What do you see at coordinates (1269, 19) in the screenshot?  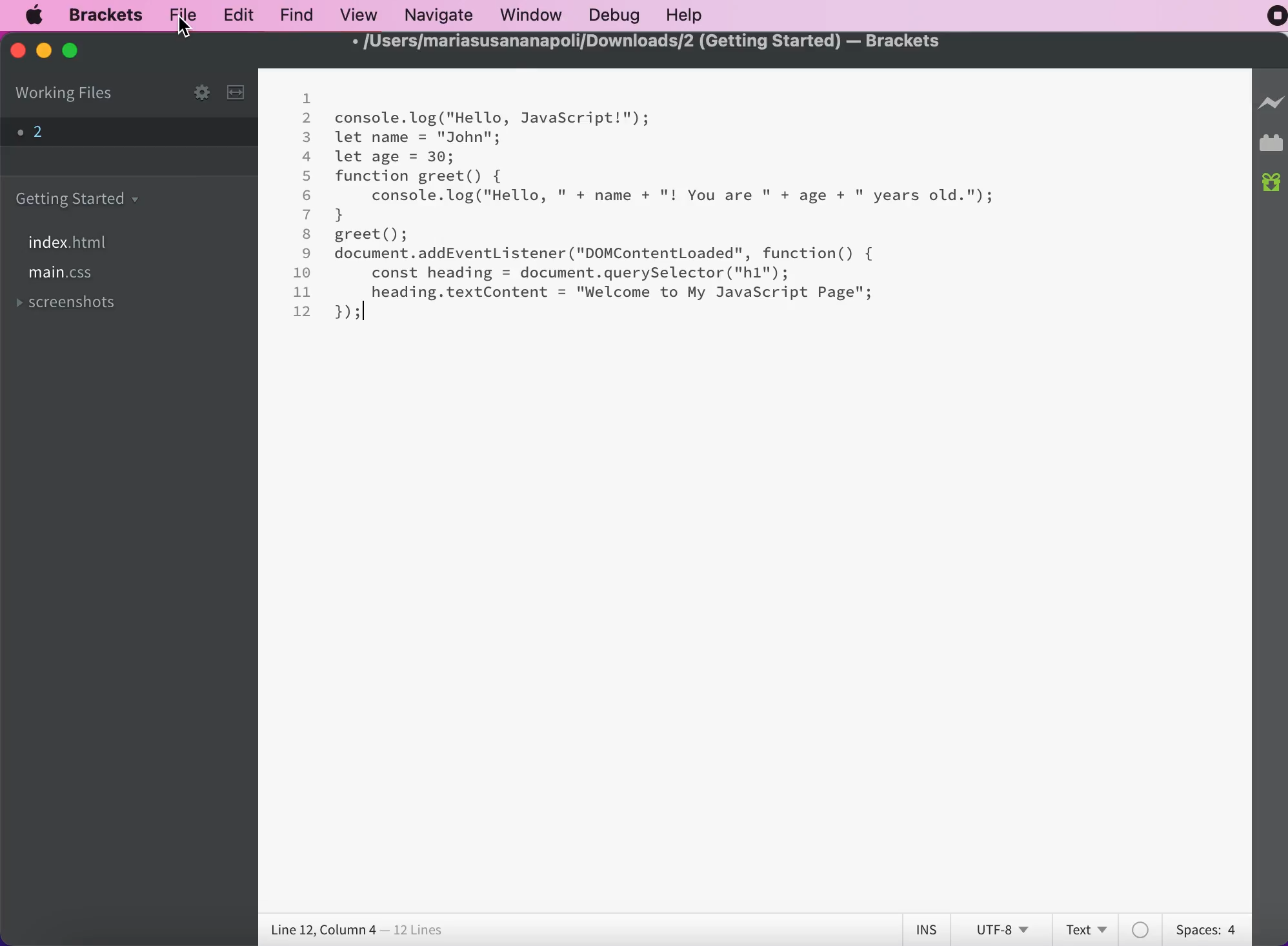 I see `recording stopped` at bounding box center [1269, 19].